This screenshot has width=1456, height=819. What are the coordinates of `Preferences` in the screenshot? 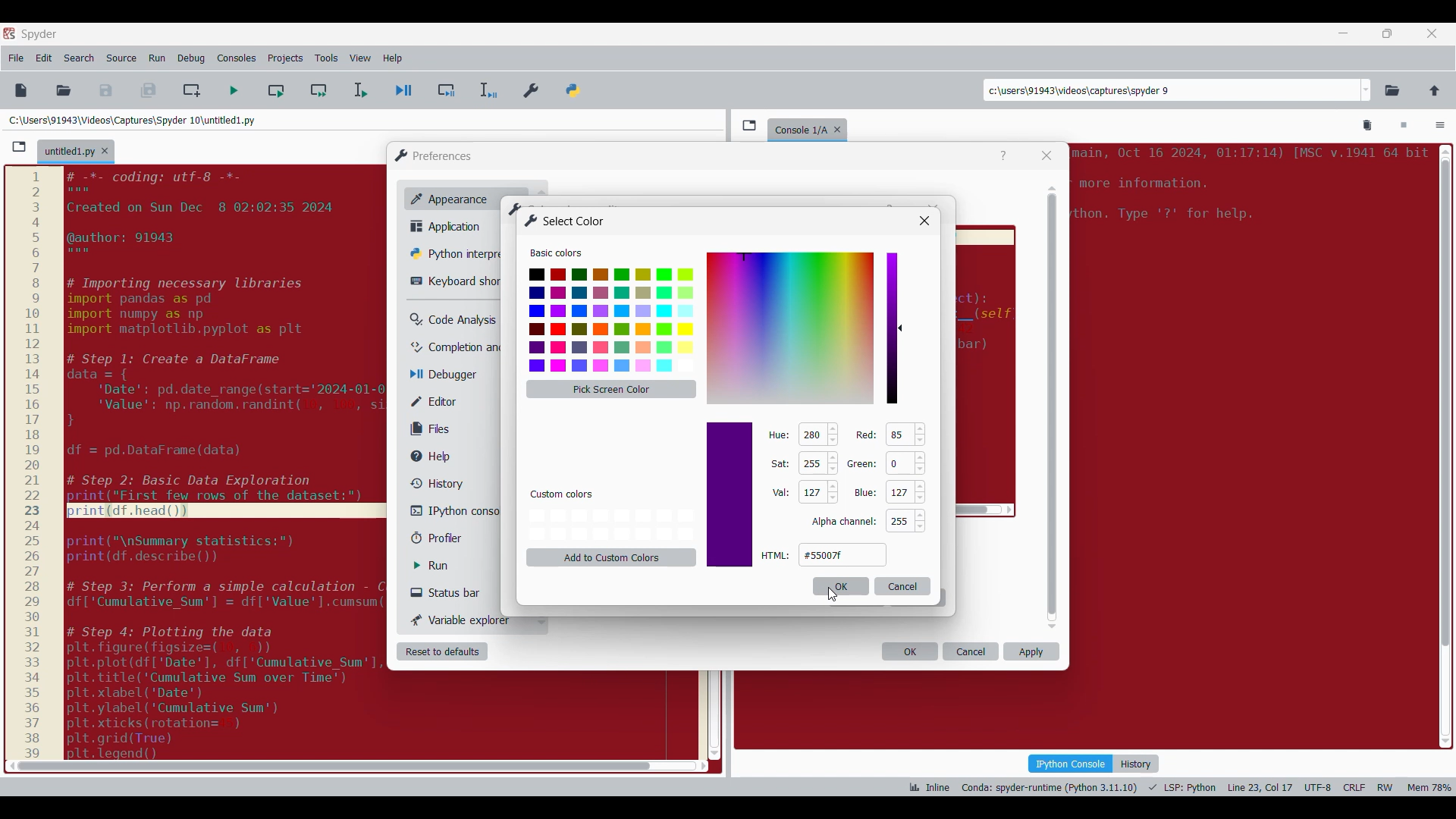 It's located at (532, 87).